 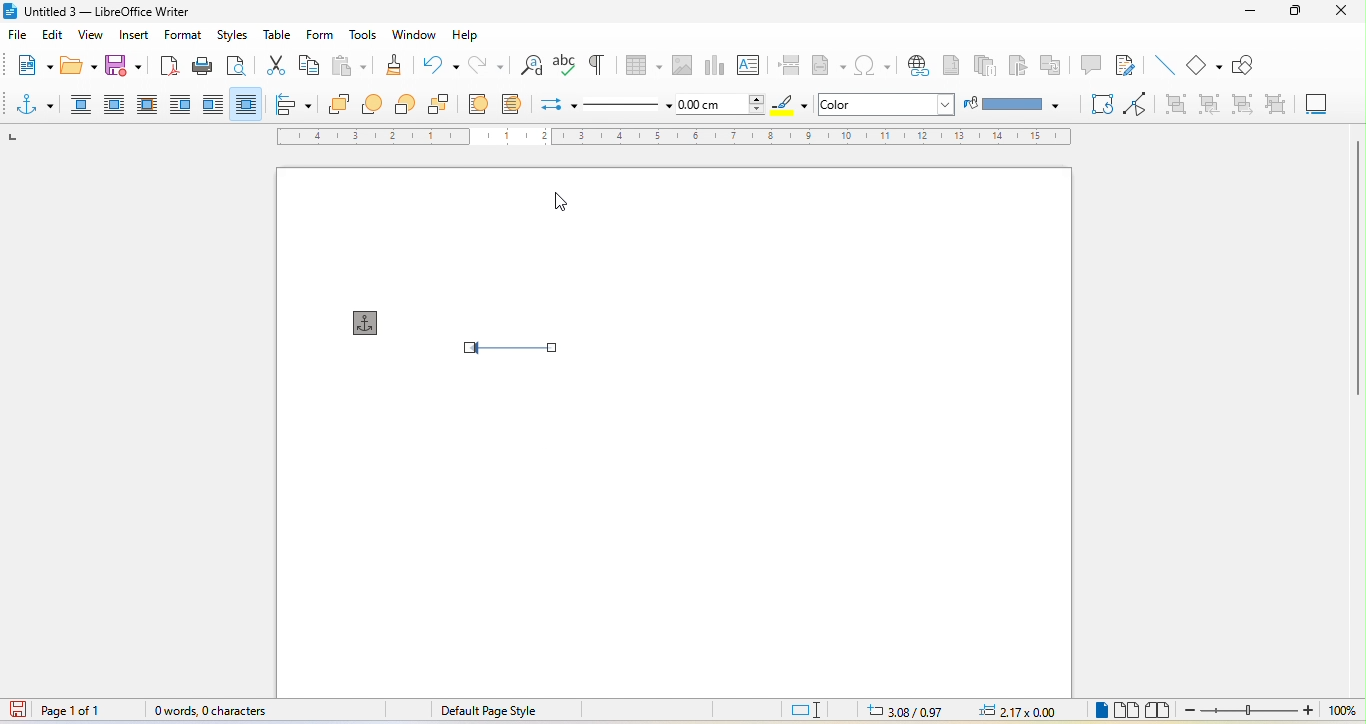 What do you see at coordinates (1210, 103) in the screenshot?
I see `enter group` at bounding box center [1210, 103].